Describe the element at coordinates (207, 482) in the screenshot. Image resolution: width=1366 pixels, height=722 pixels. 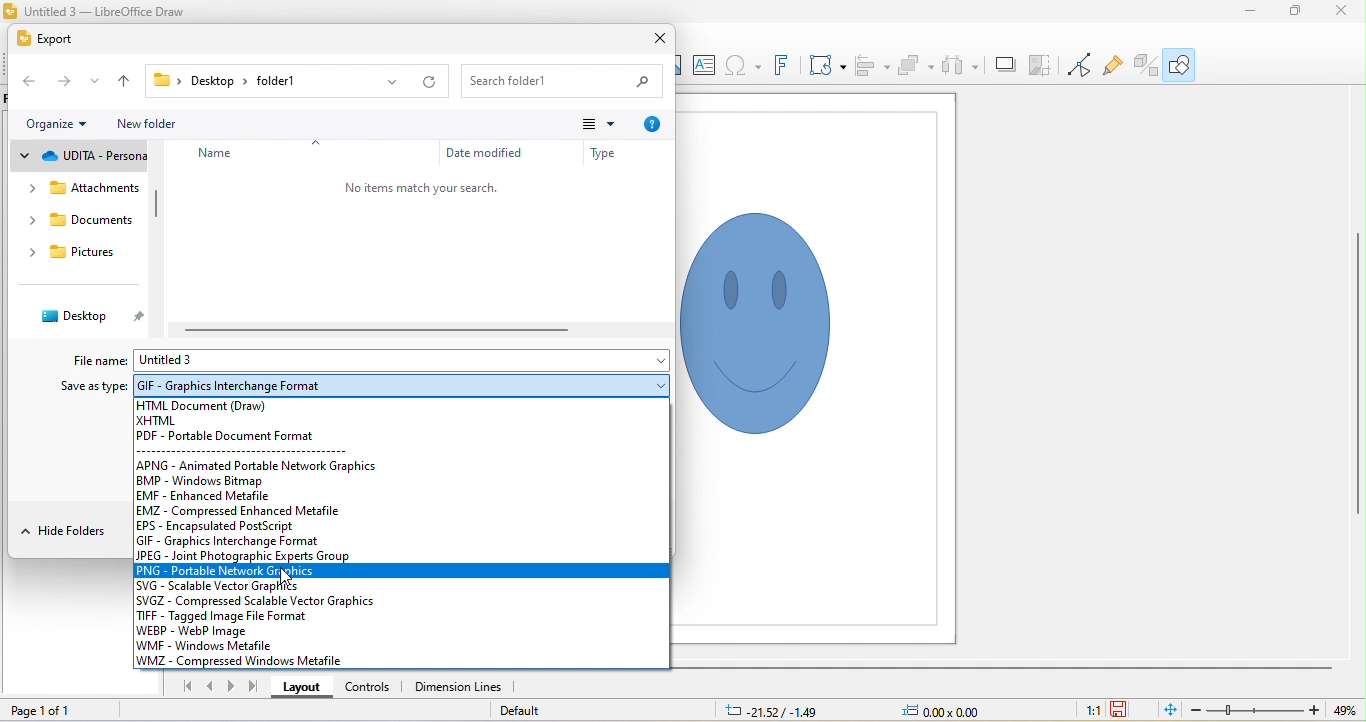
I see `BMP-Windows Bitmap` at that location.